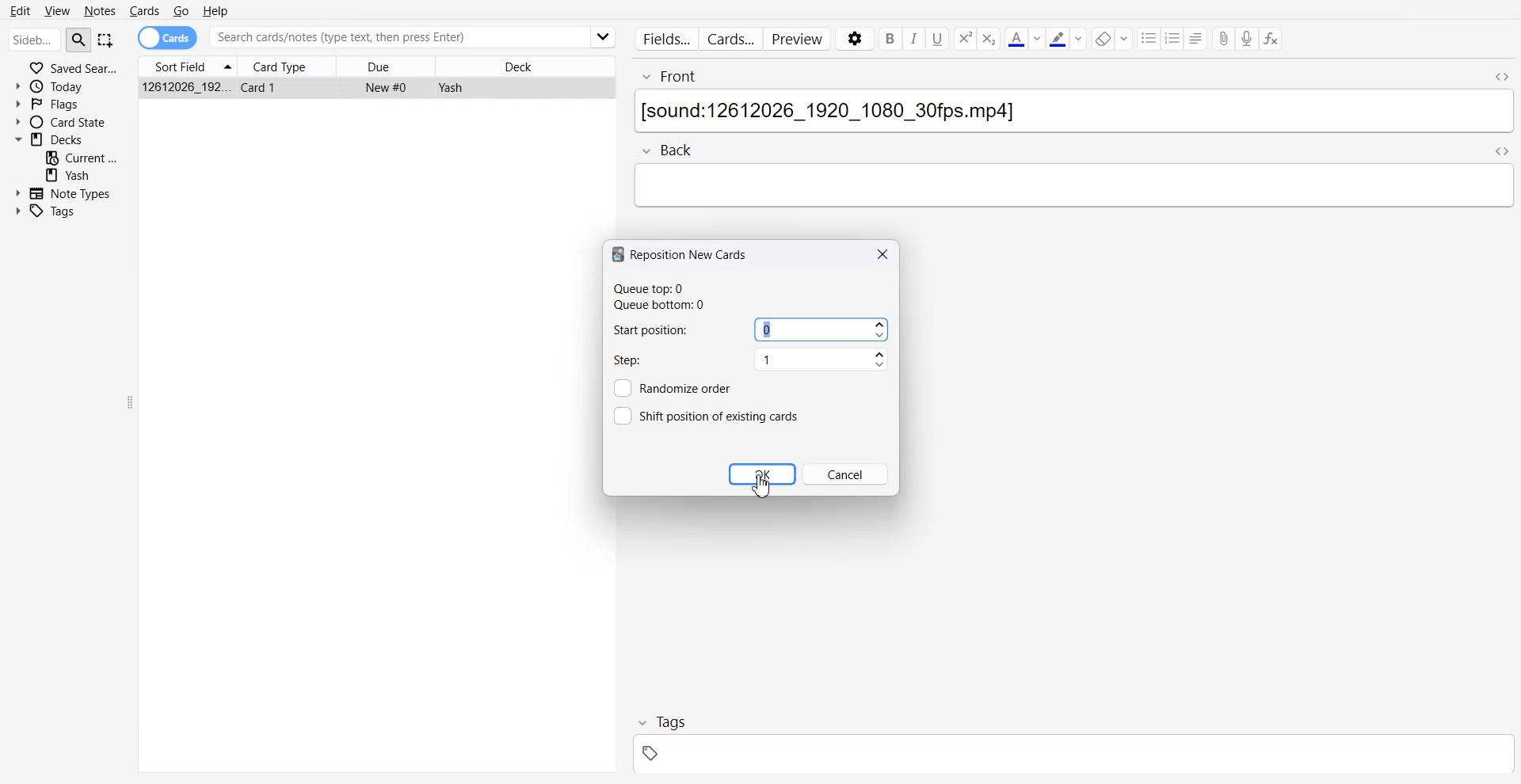  I want to click on Today, so click(67, 86).